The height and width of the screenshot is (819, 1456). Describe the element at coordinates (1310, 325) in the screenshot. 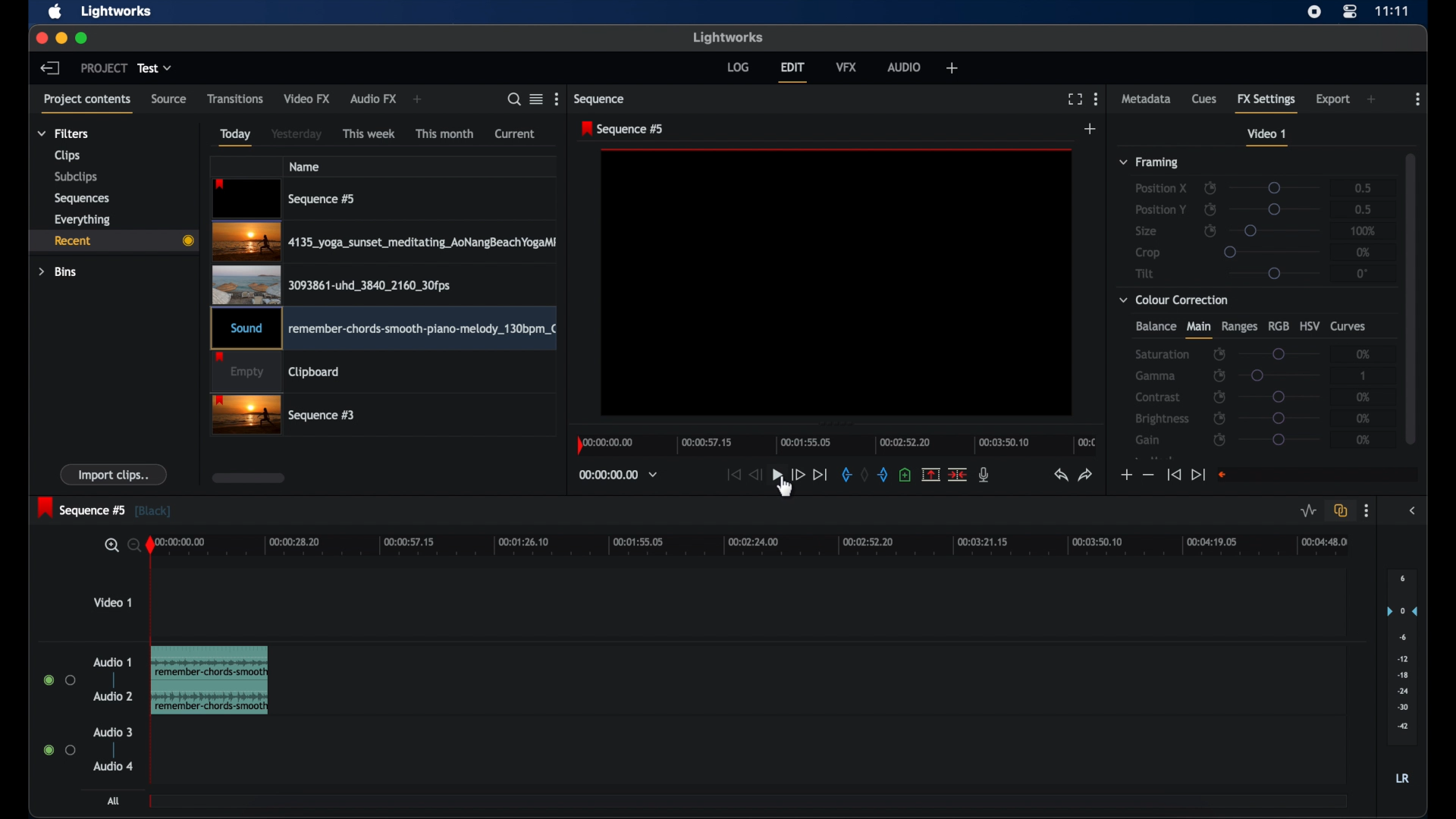

I see `hsv` at that location.